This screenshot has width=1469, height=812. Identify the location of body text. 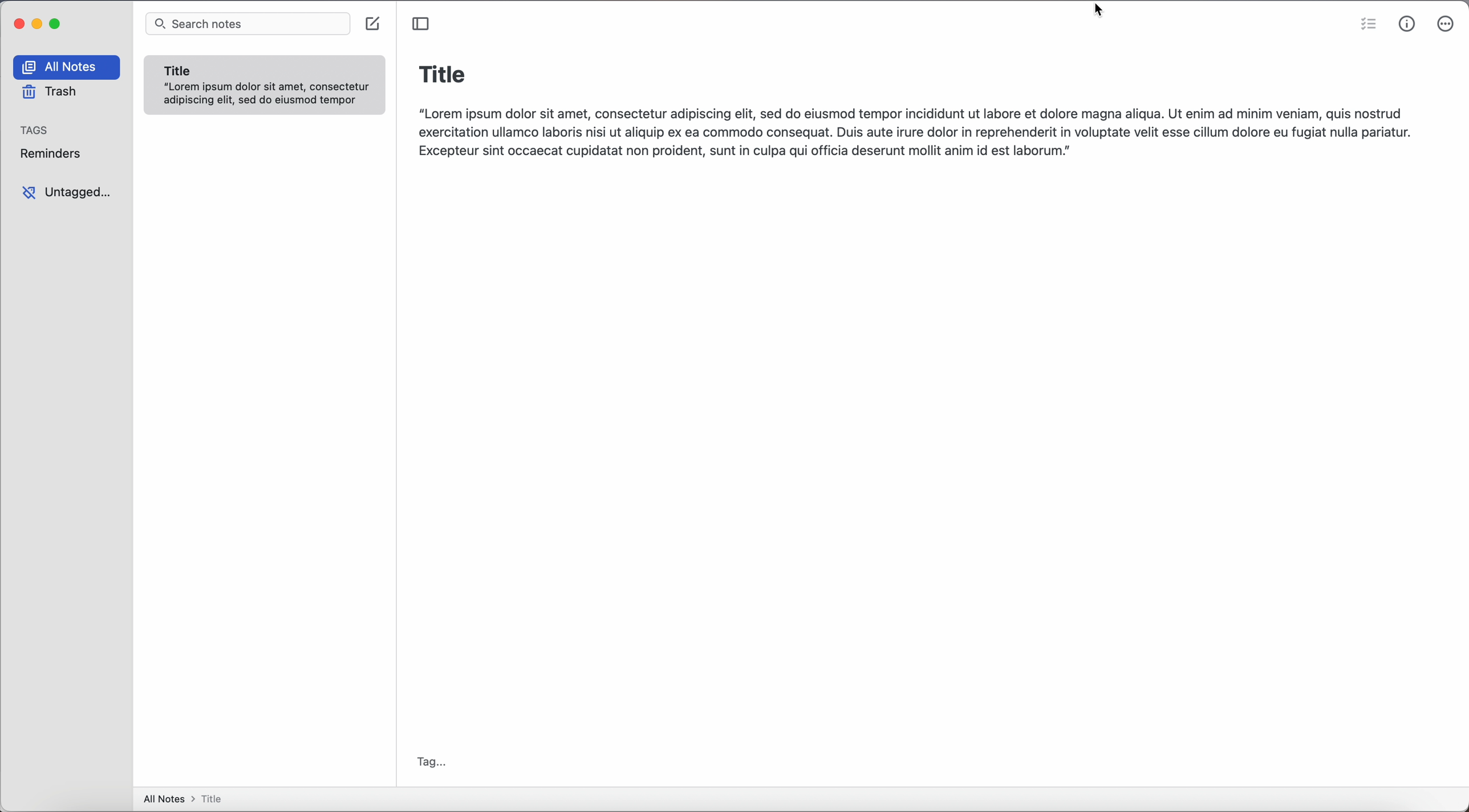
(914, 130).